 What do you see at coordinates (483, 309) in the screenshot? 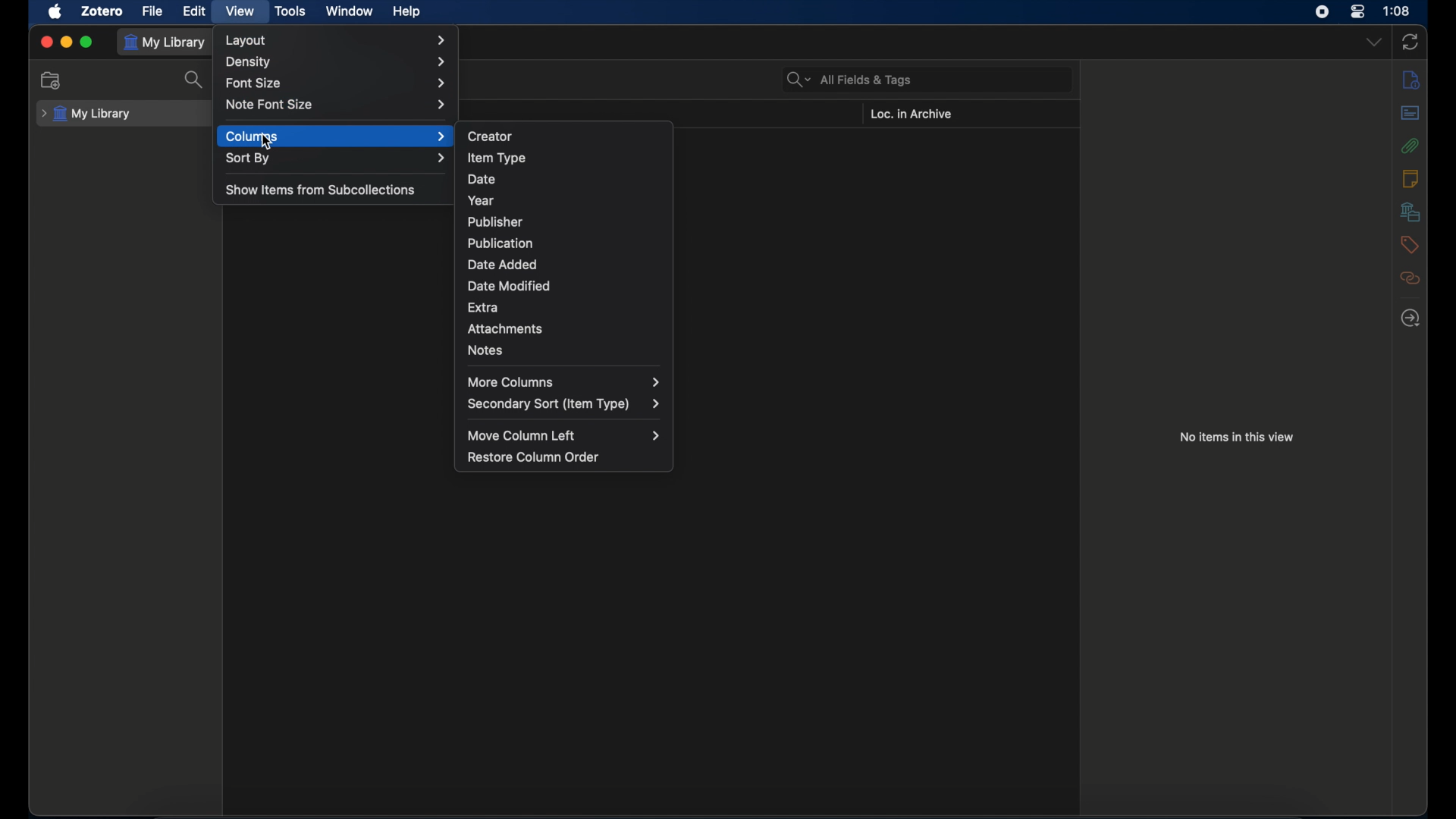
I see `extra` at bounding box center [483, 309].